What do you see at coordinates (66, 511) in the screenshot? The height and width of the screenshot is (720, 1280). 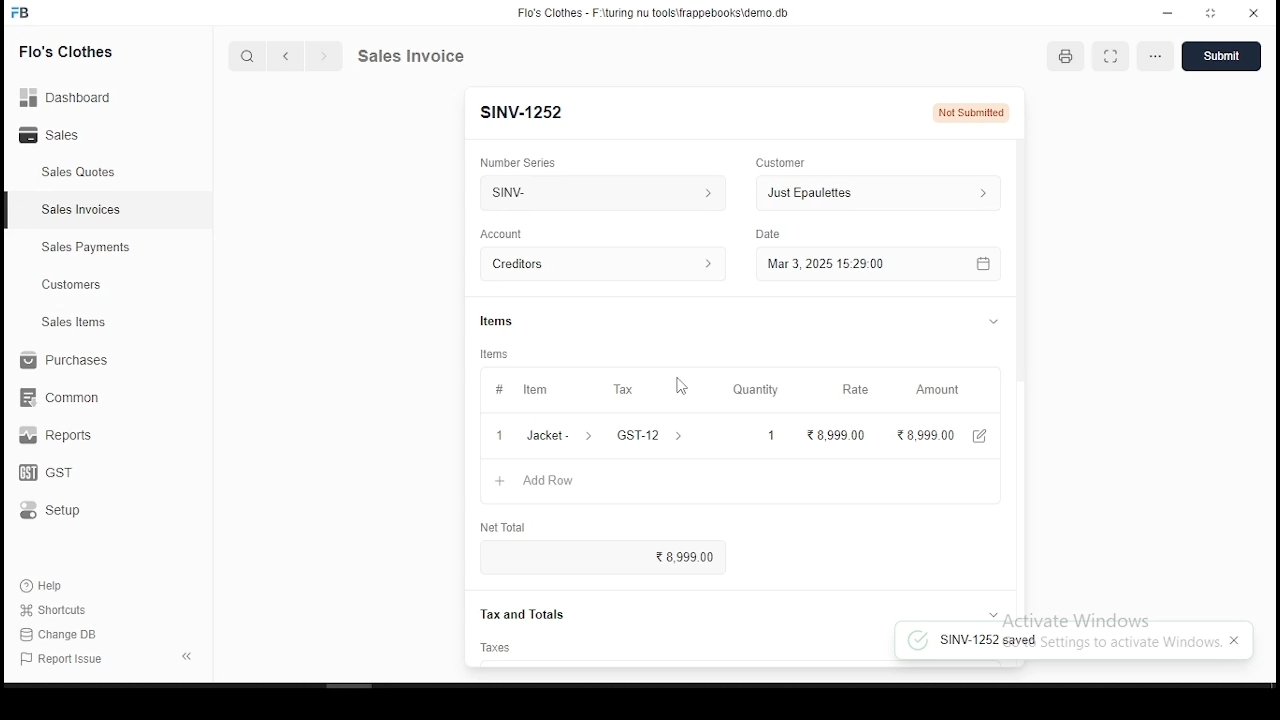 I see `setup` at bounding box center [66, 511].